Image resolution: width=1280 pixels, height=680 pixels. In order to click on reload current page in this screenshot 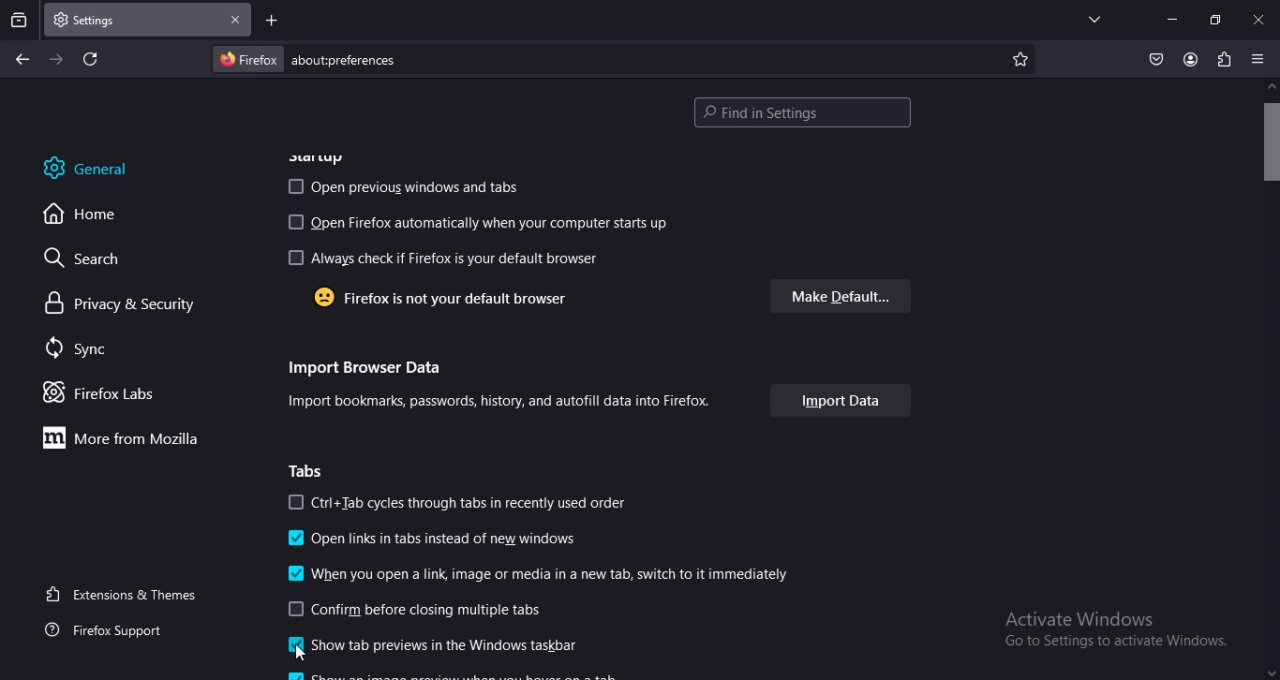, I will do `click(88, 61)`.